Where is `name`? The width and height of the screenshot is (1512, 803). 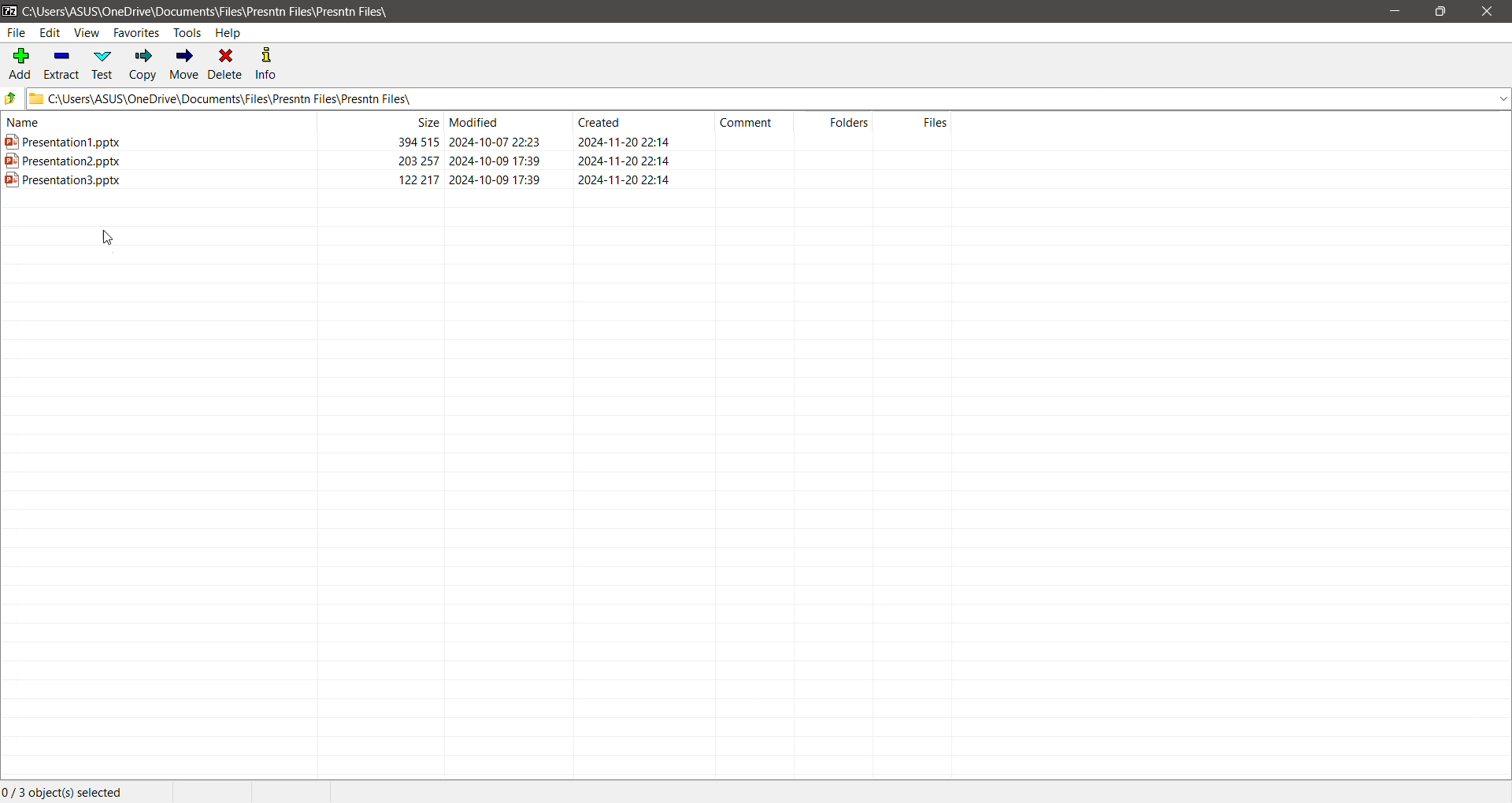 name is located at coordinates (24, 122).